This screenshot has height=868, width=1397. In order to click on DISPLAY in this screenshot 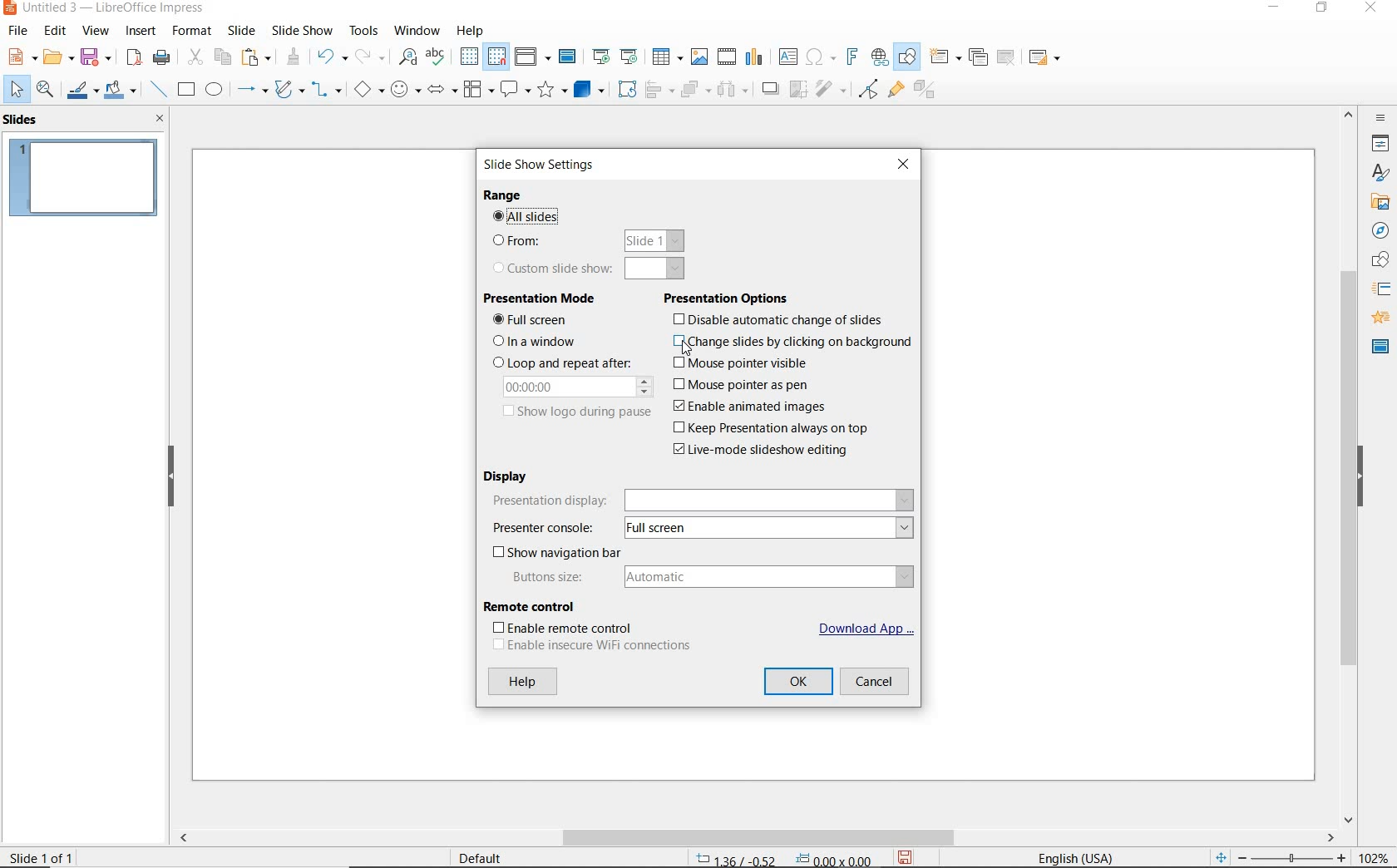, I will do `click(511, 475)`.